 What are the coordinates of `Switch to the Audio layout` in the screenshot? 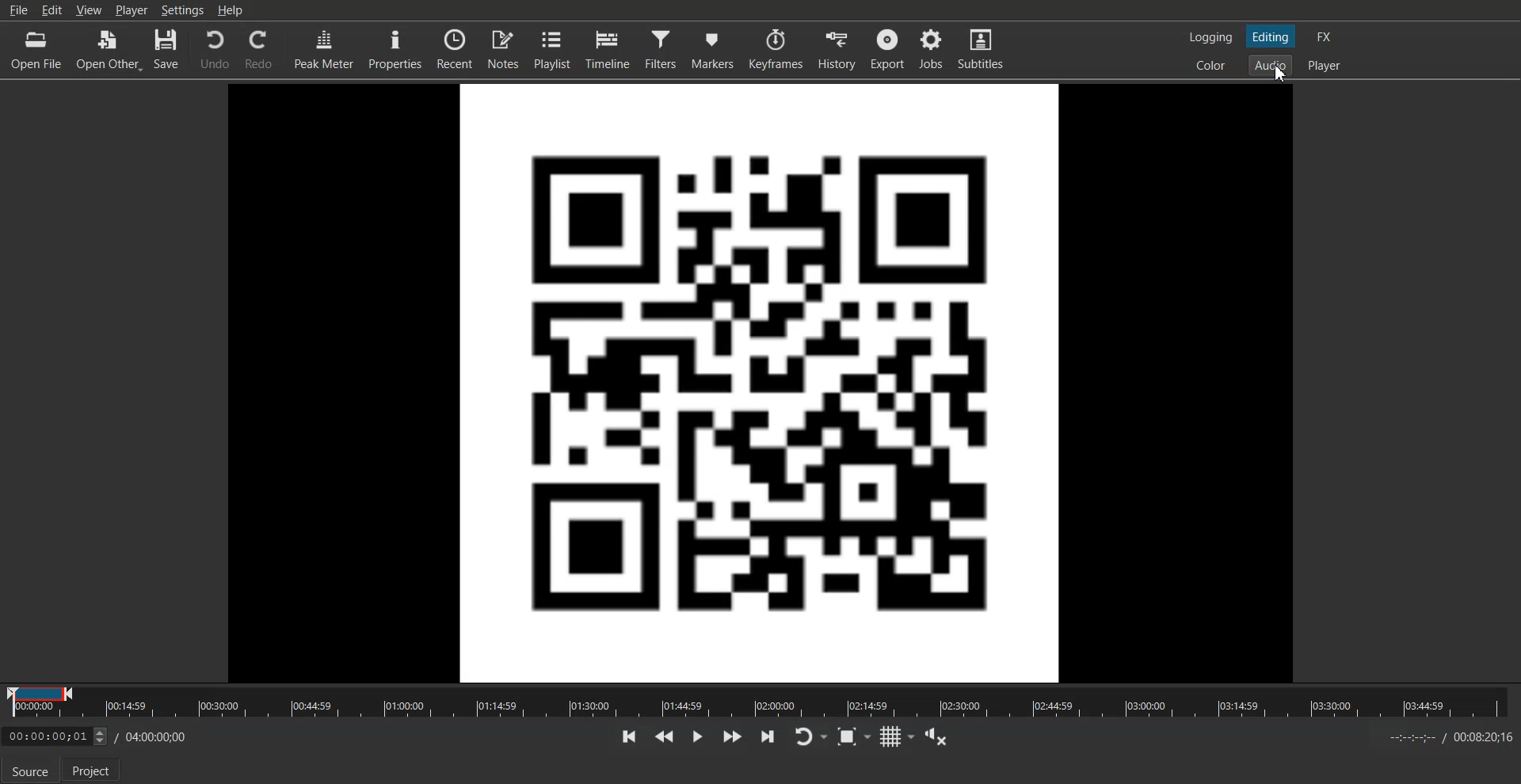 It's located at (1270, 65).